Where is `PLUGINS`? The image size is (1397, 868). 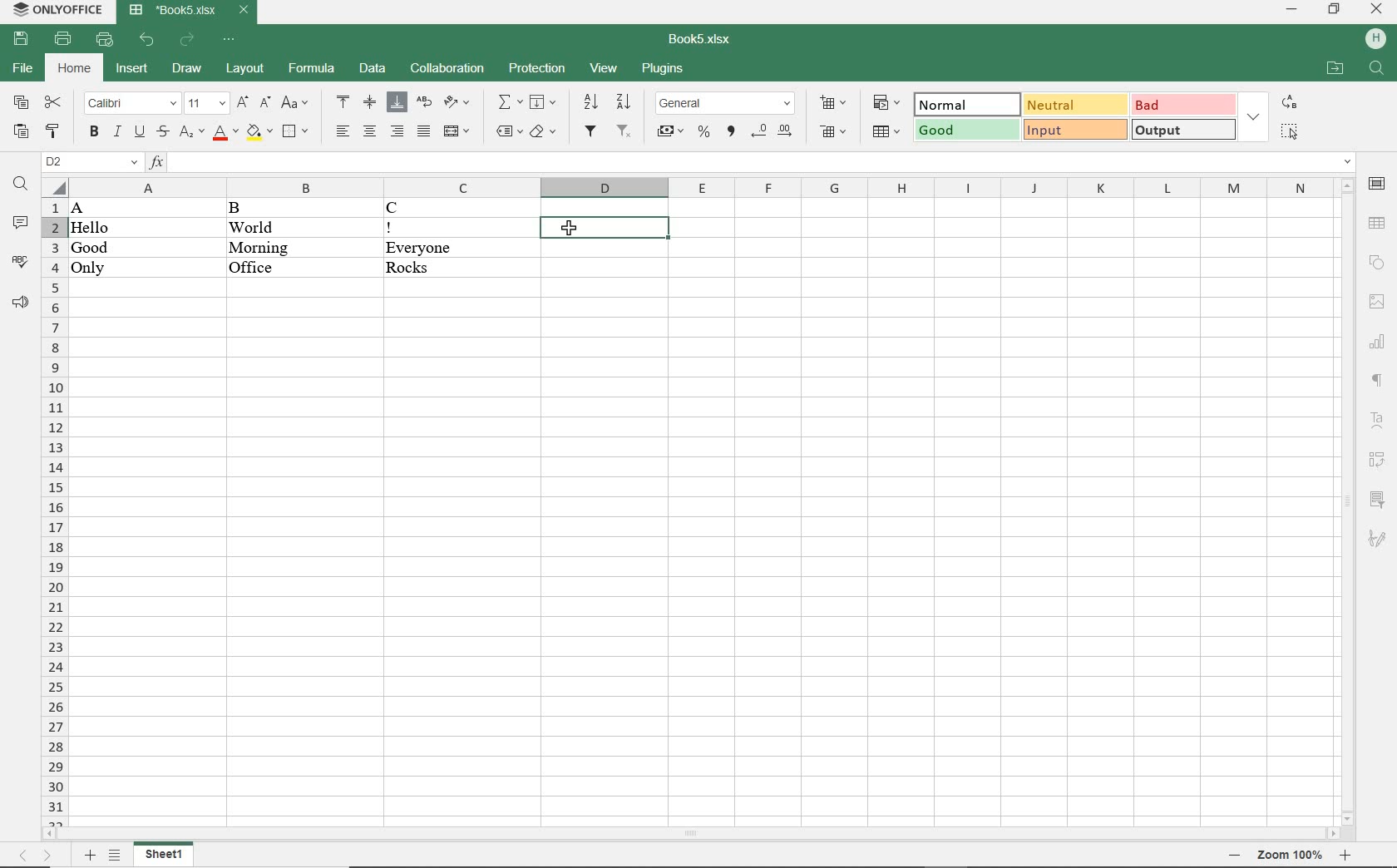 PLUGINS is located at coordinates (662, 70).